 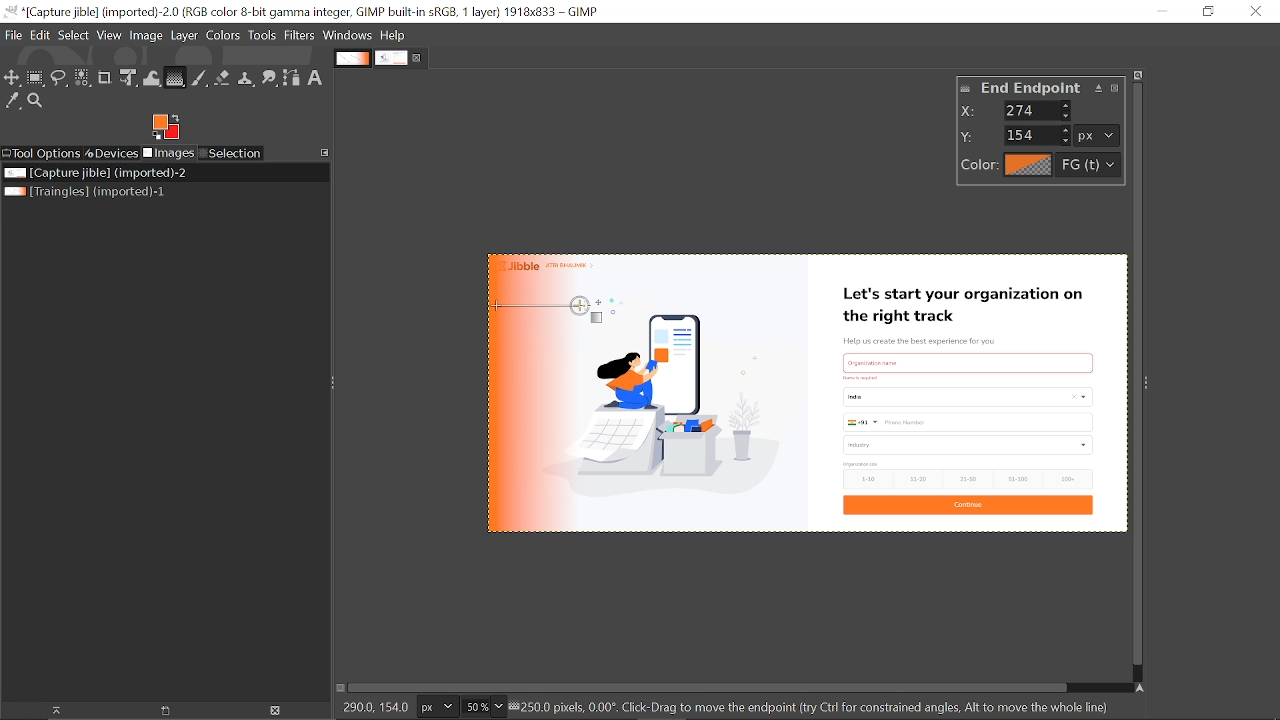 What do you see at coordinates (112, 153) in the screenshot?
I see `Devices` at bounding box center [112, 153].